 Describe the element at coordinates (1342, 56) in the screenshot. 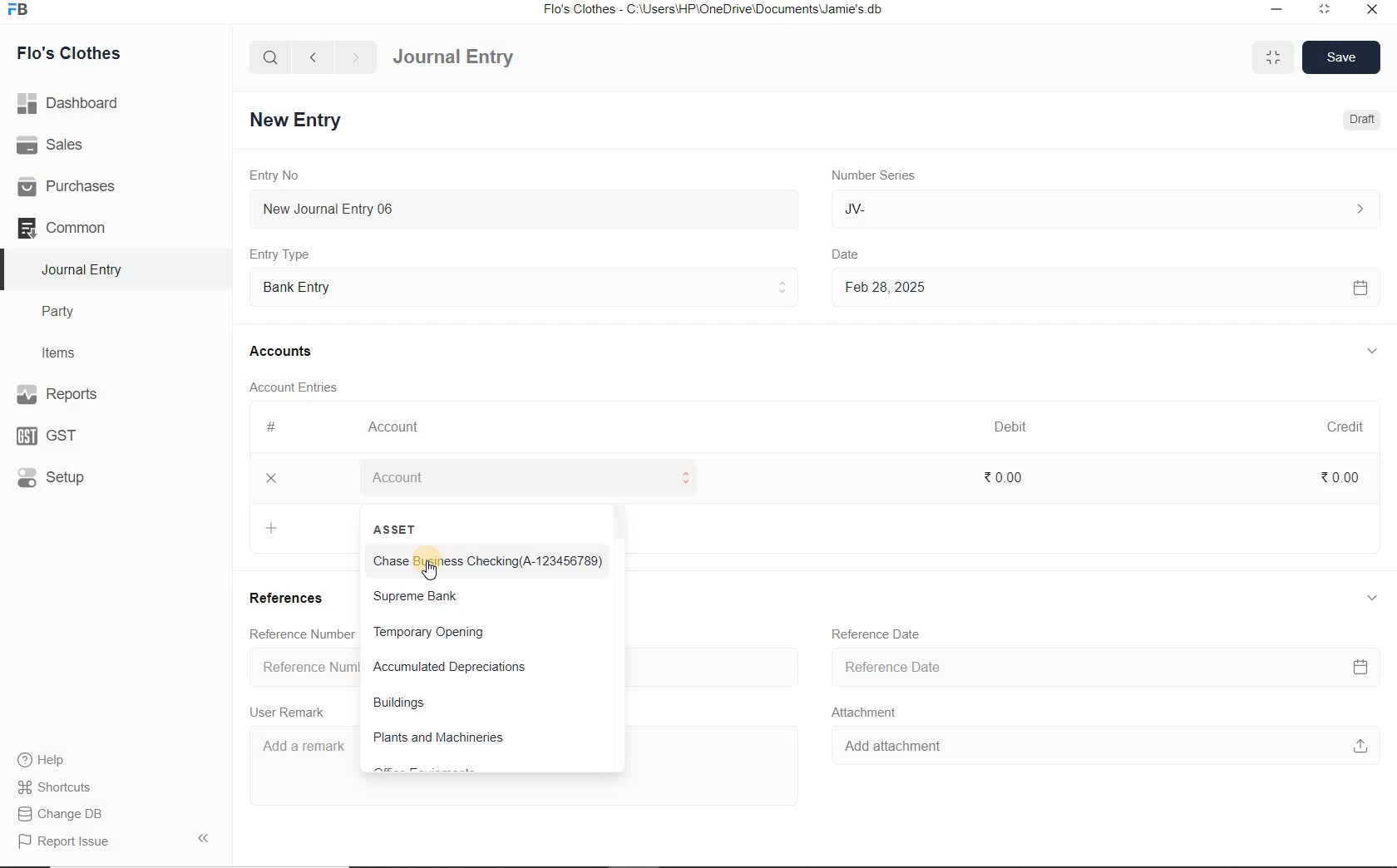

I see `Save` at that location.